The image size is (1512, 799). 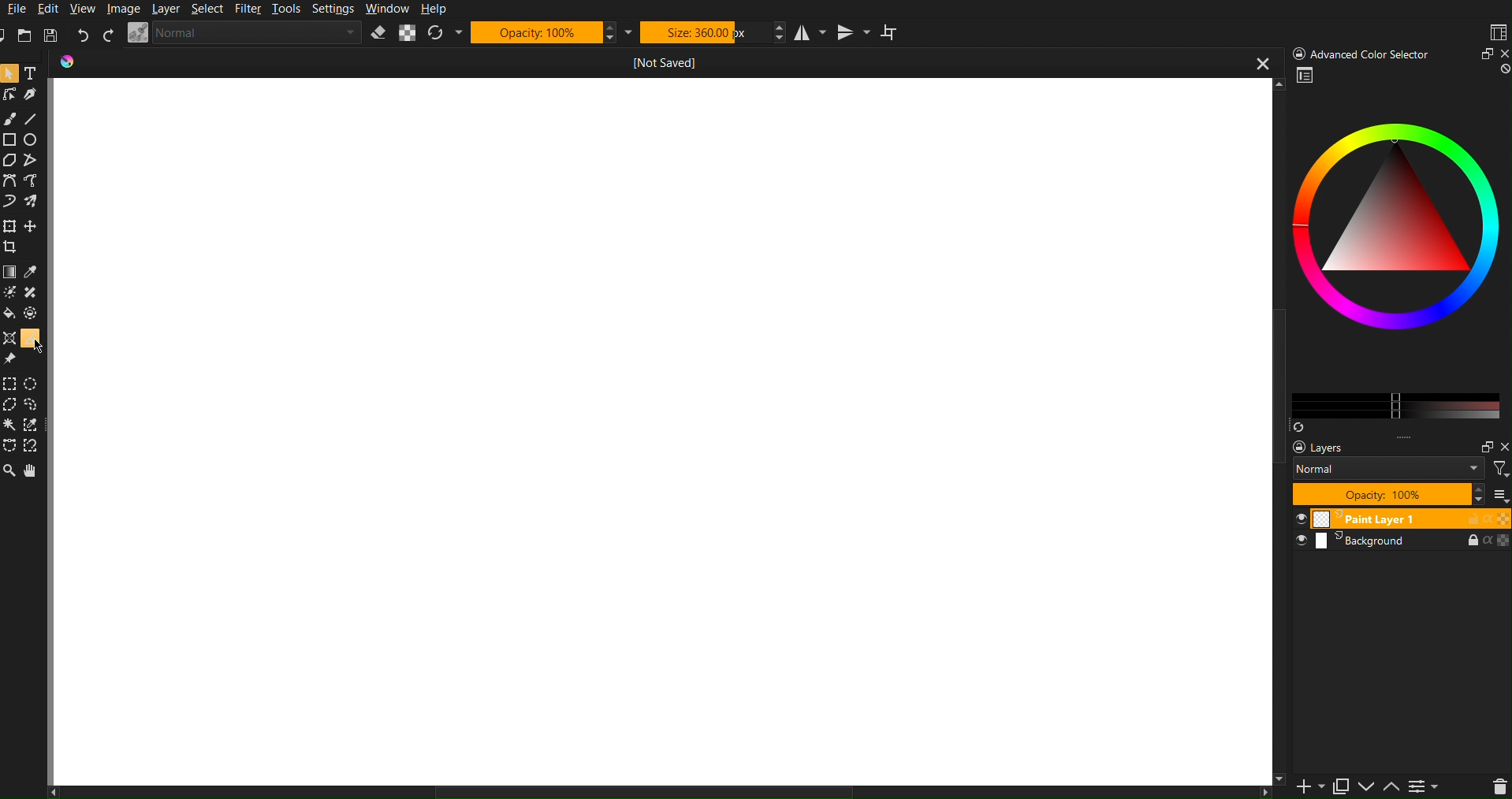 I want to click on Color Tools, so click(x=9, y=271).